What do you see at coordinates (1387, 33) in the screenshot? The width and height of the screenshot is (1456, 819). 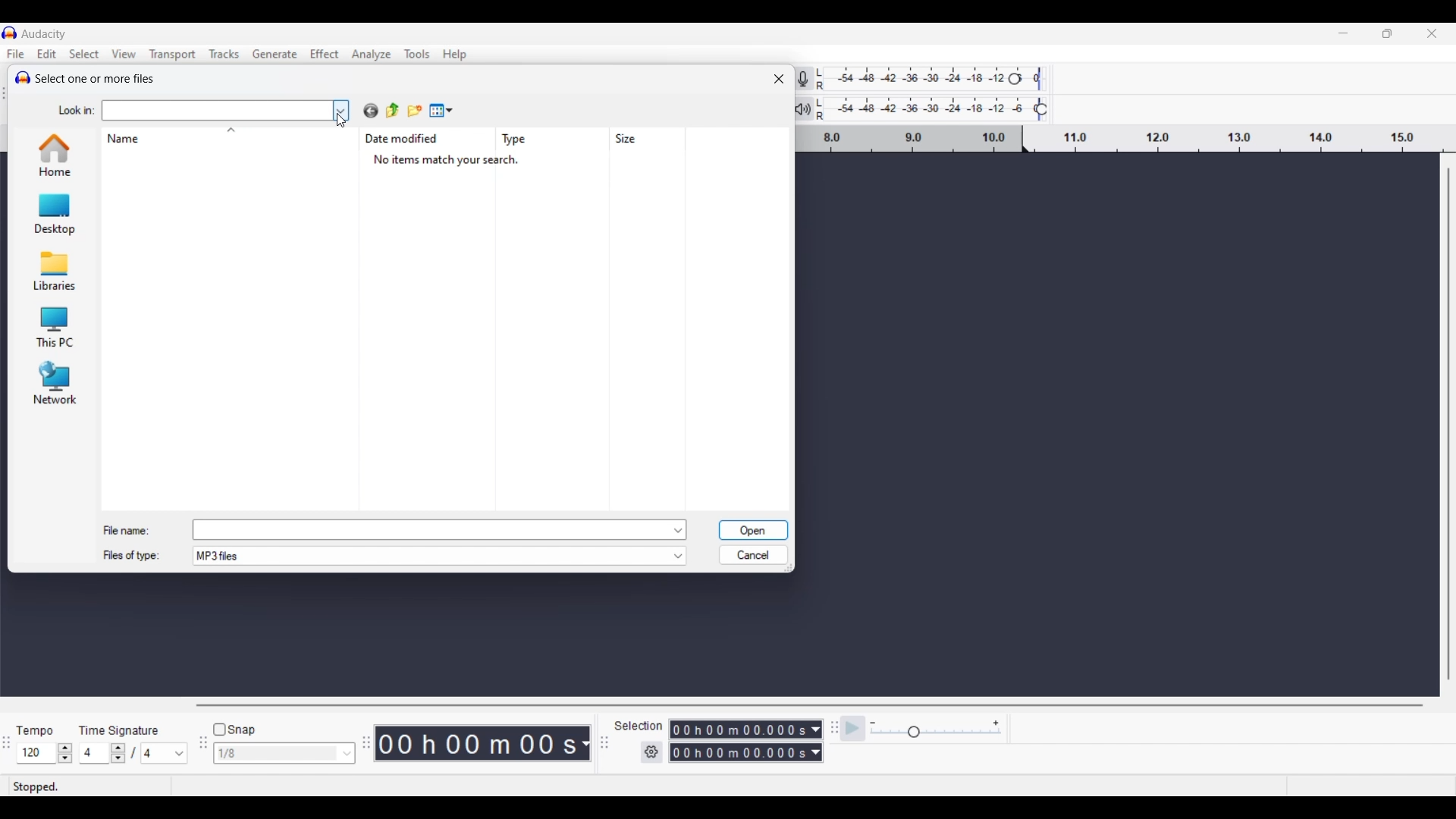 I see `Show interface in a smaller tab` at bounding box center [1387, 33].